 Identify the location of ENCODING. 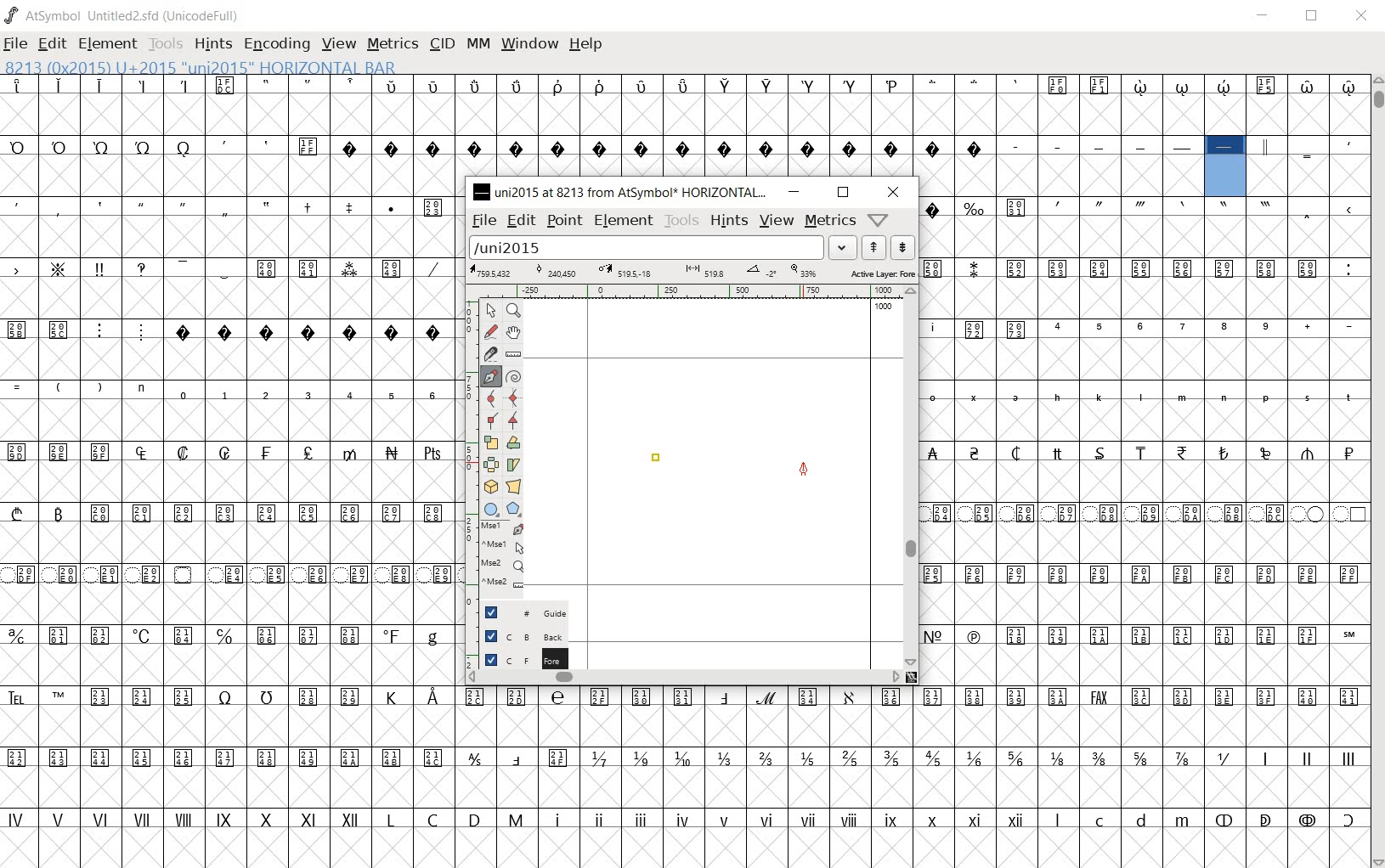
(277, 44).